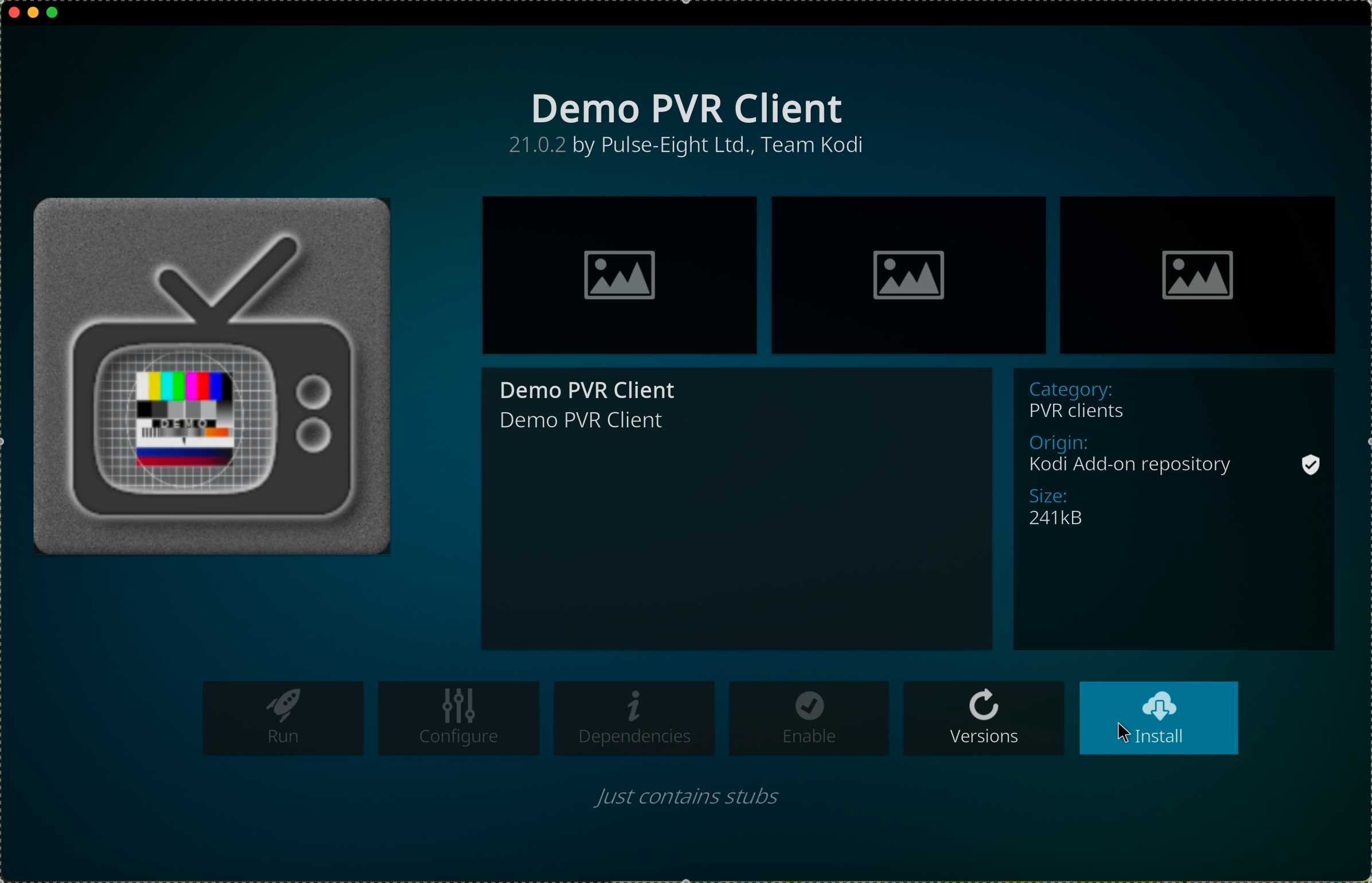 The image size is (1372, 883). What do you see at coordinates (676, 120) in the screenshot?
I see `Demo PVR client` at bounding box center [676, 120].